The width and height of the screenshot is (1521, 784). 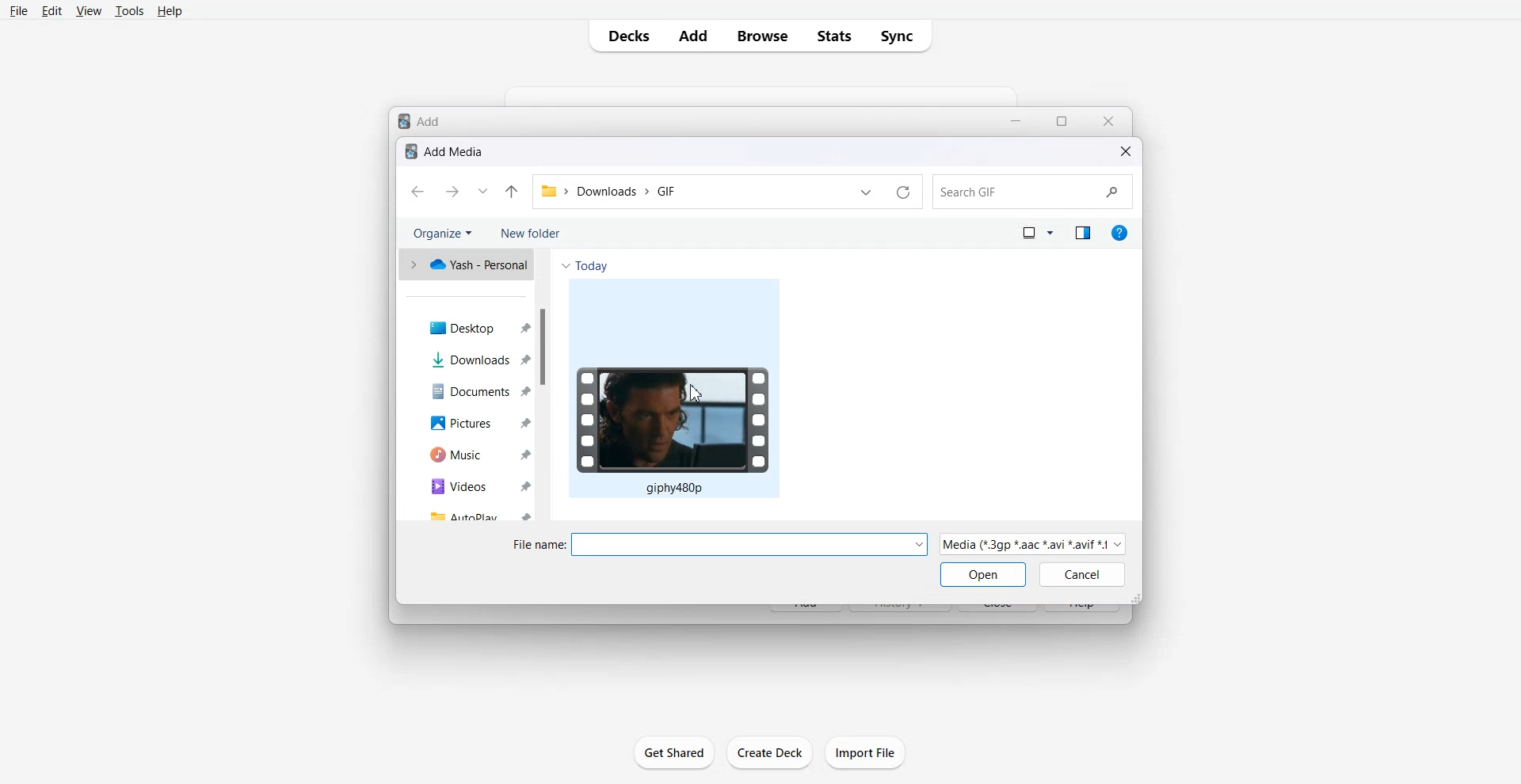 I want to click on Add, so click(x=692, y=36).